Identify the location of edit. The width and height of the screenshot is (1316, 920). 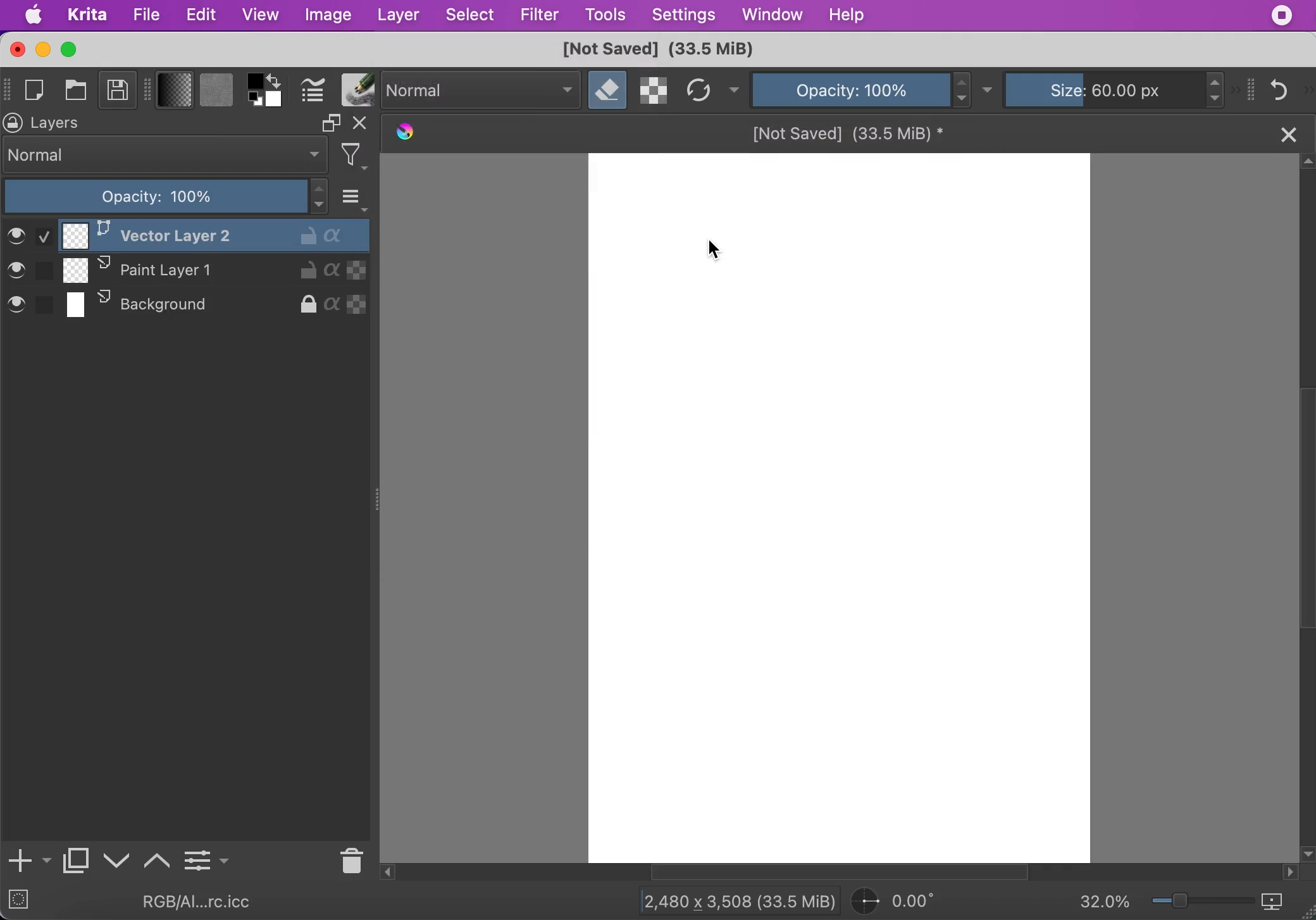
(201, 15).